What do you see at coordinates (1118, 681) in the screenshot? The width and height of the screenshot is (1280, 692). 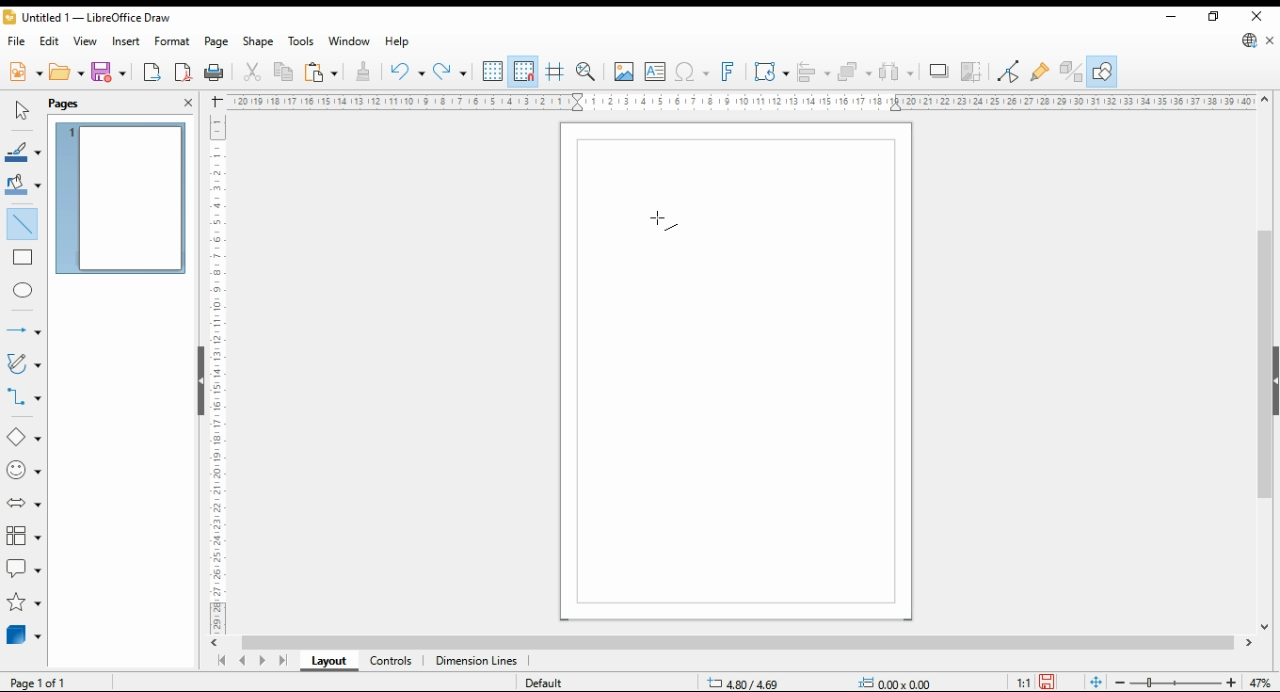 I see `decrease zoom` at bounding box center [1118, 681].